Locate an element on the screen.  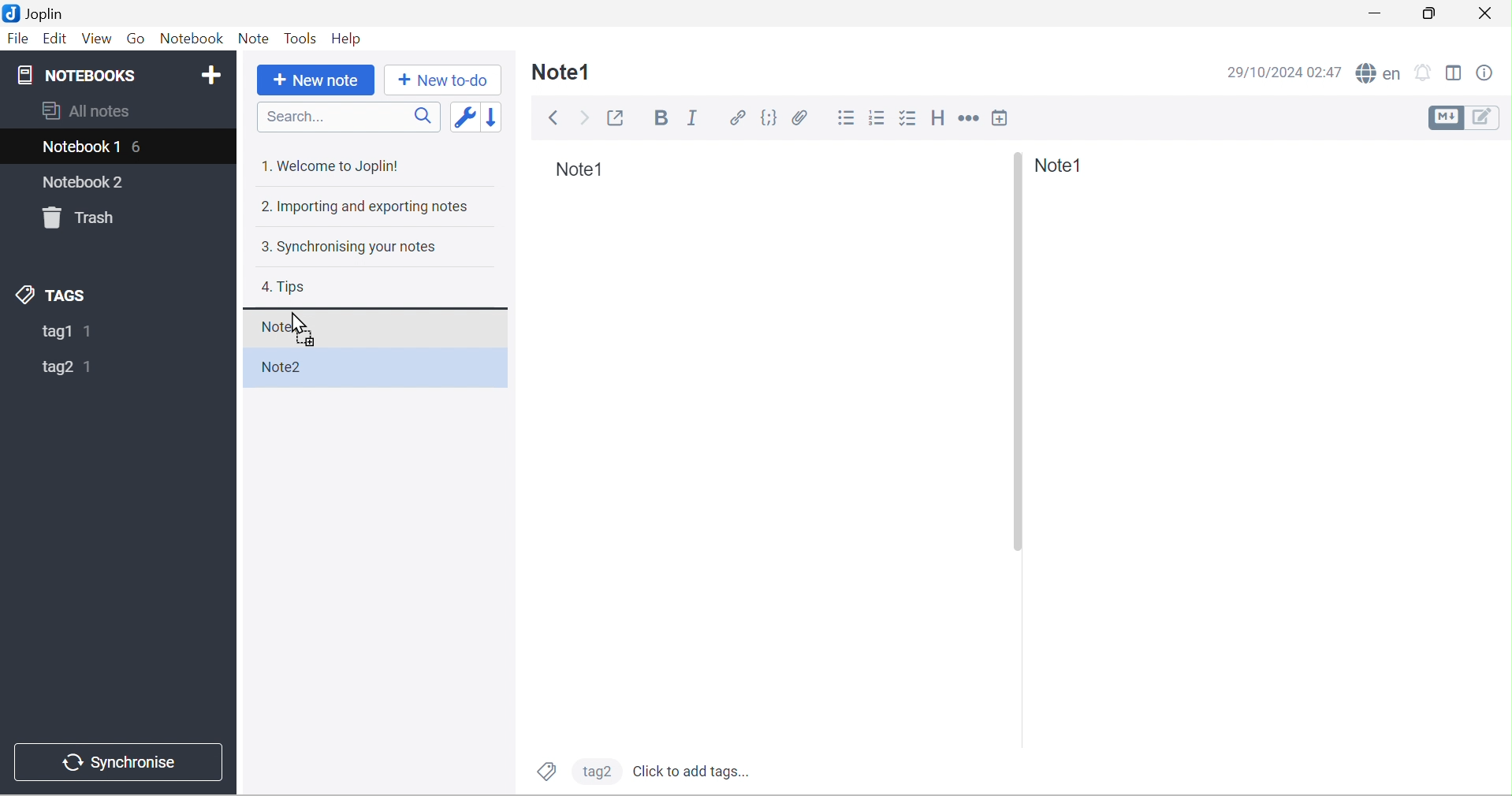
Note1 is located at coordinates (581, 169).